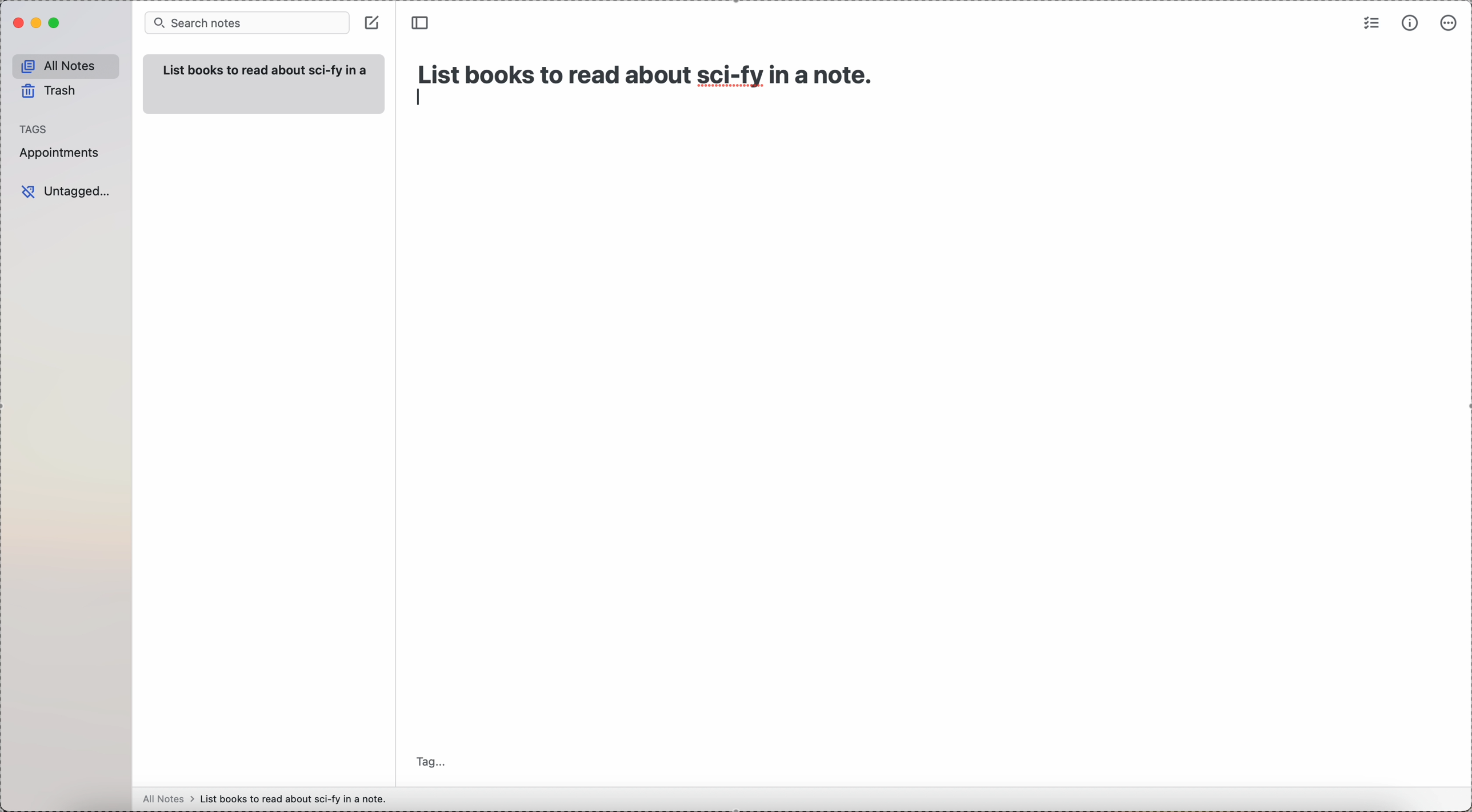 Image resolution: width=1472 pixels, height=812 pixels. Describe the element at coordinates (1410, 24) in the screenshot. I see `metrics` at that location.